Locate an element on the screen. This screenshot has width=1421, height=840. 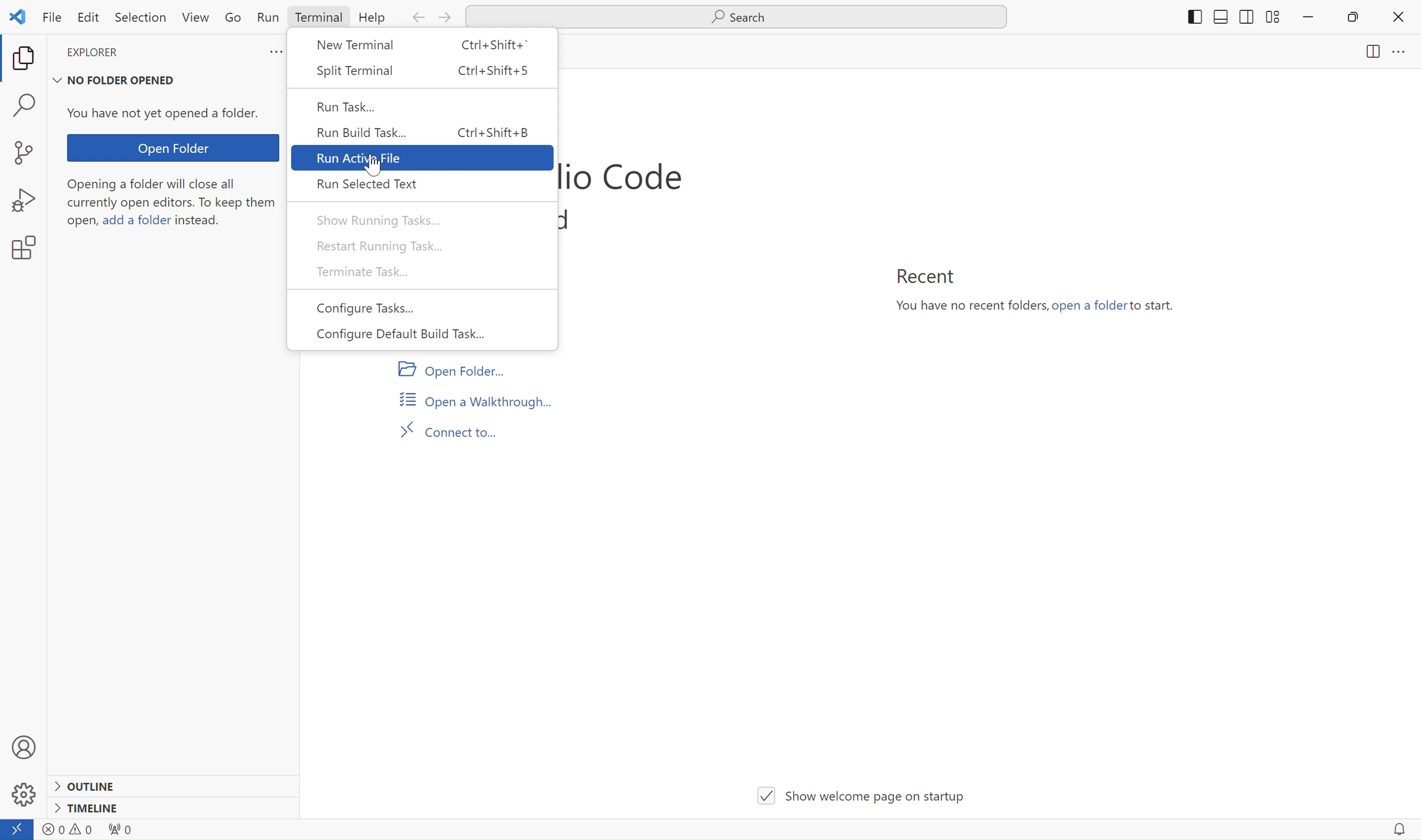
configure tasks is located at coordinates (420, 308).